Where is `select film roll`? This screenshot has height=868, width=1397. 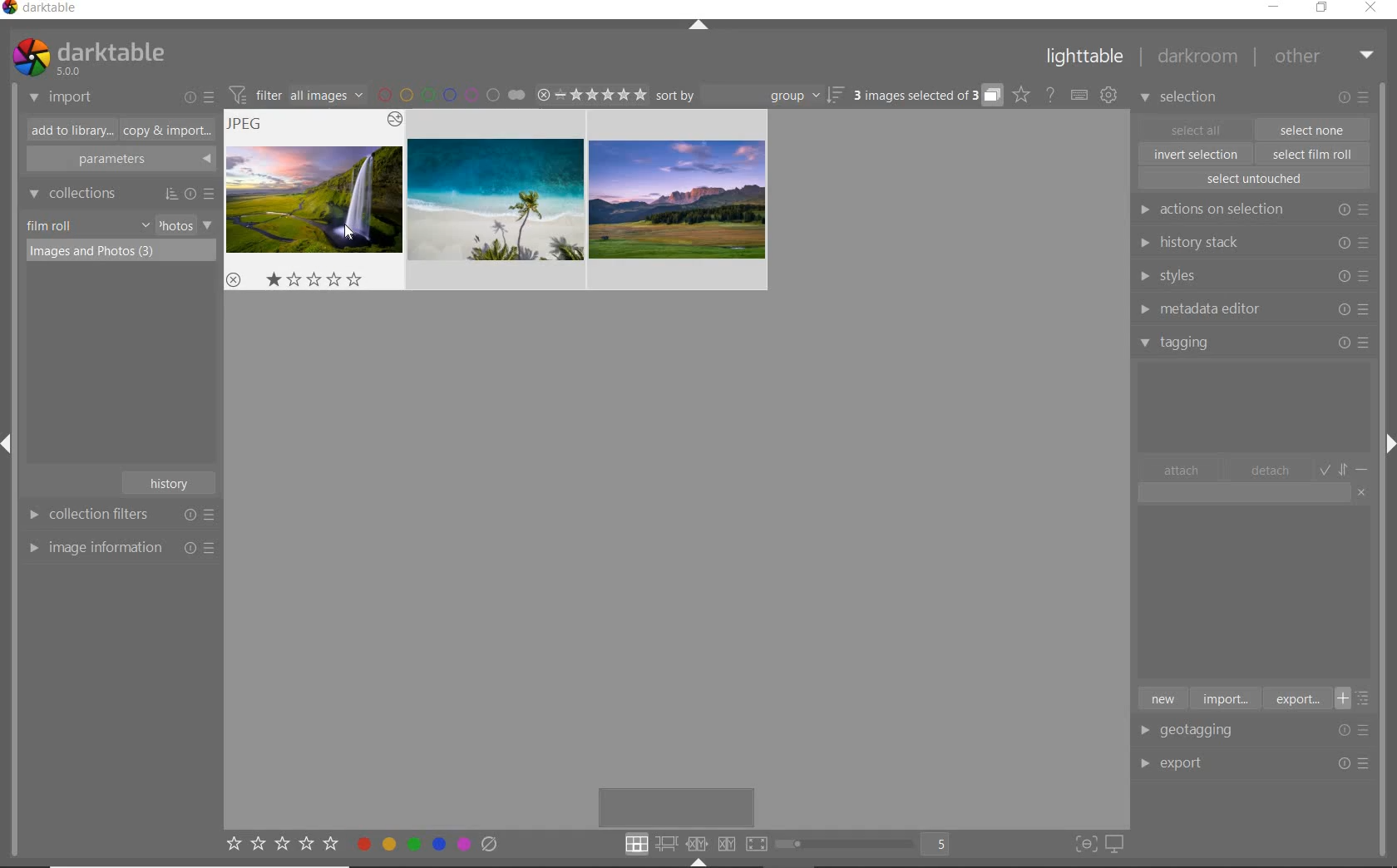
select film roll is located at coordinates (1313, 152).